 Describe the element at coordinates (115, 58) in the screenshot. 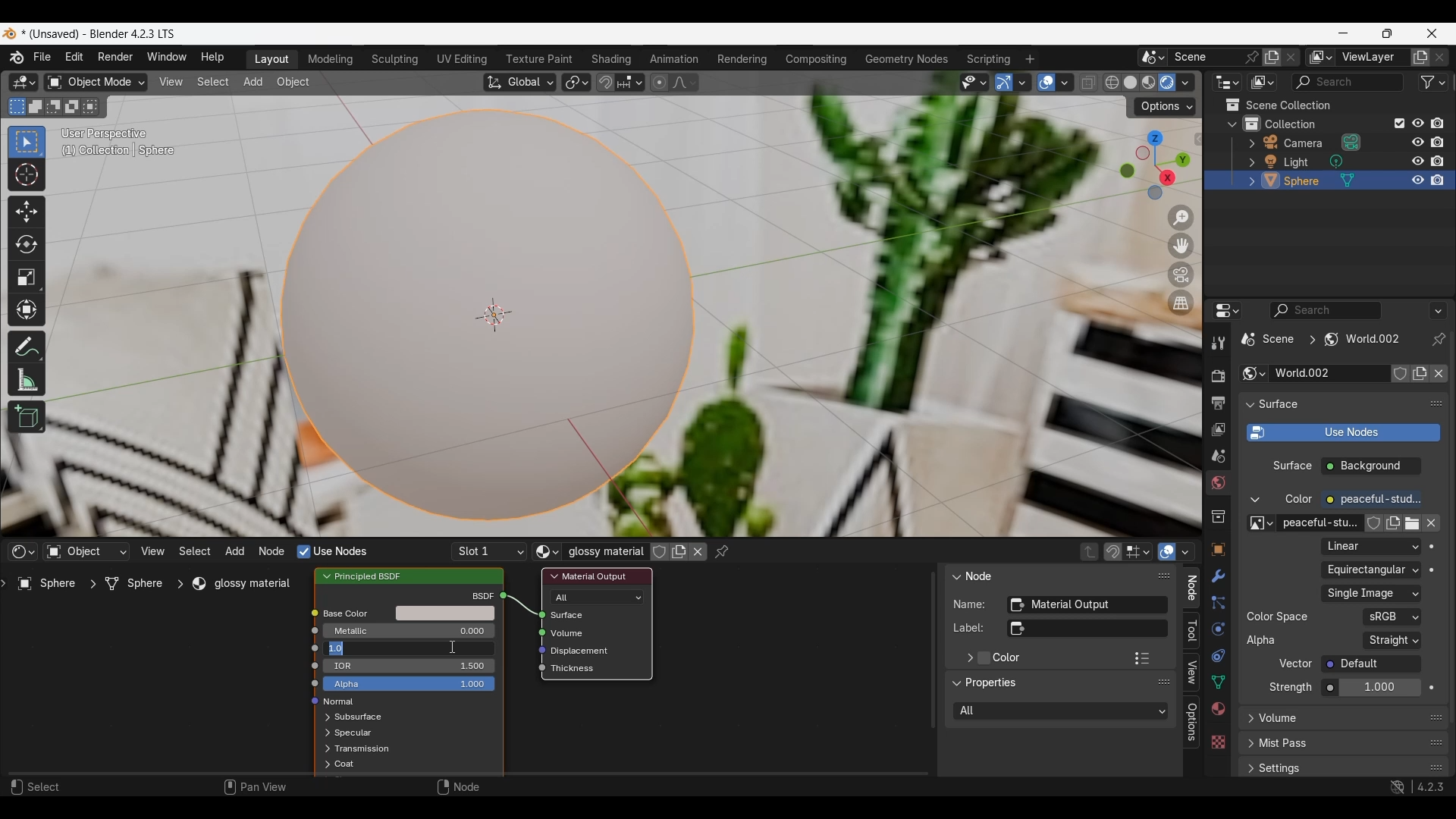

I see `Render menu` at that location.